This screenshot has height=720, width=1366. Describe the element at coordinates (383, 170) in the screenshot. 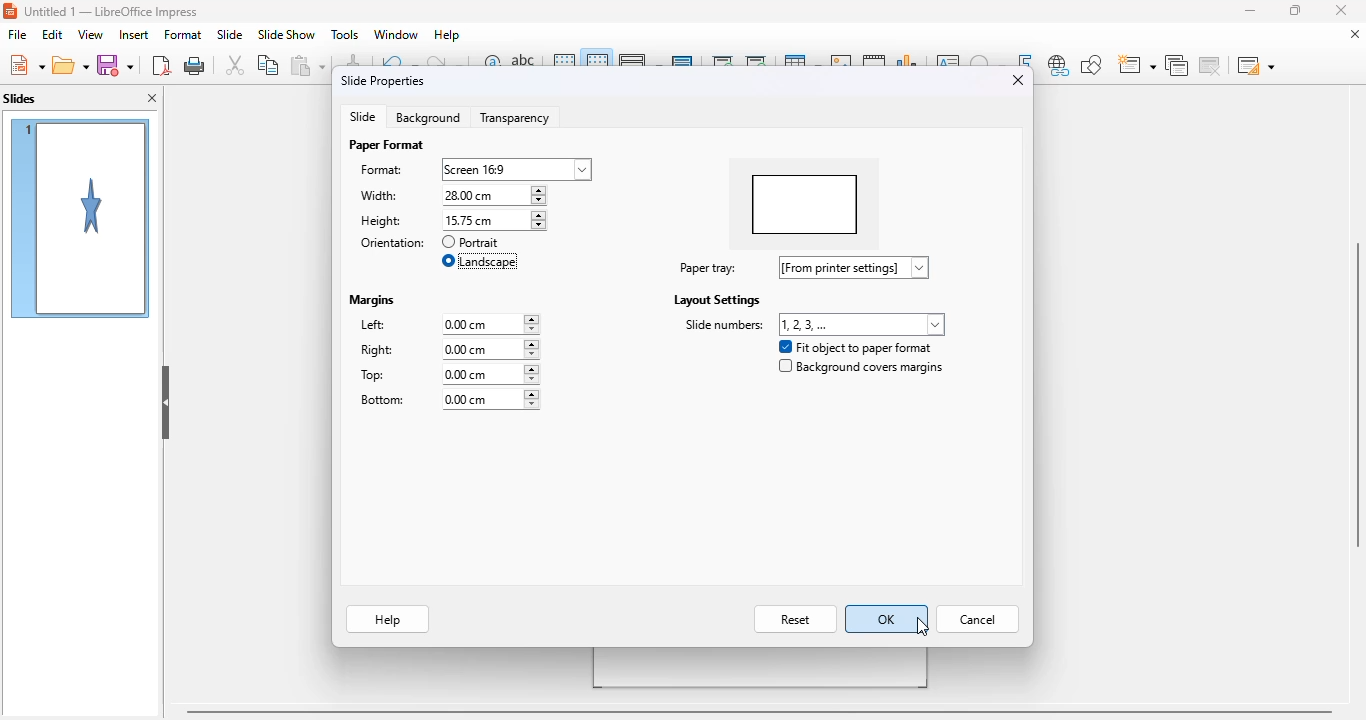

I see `format` at that location.